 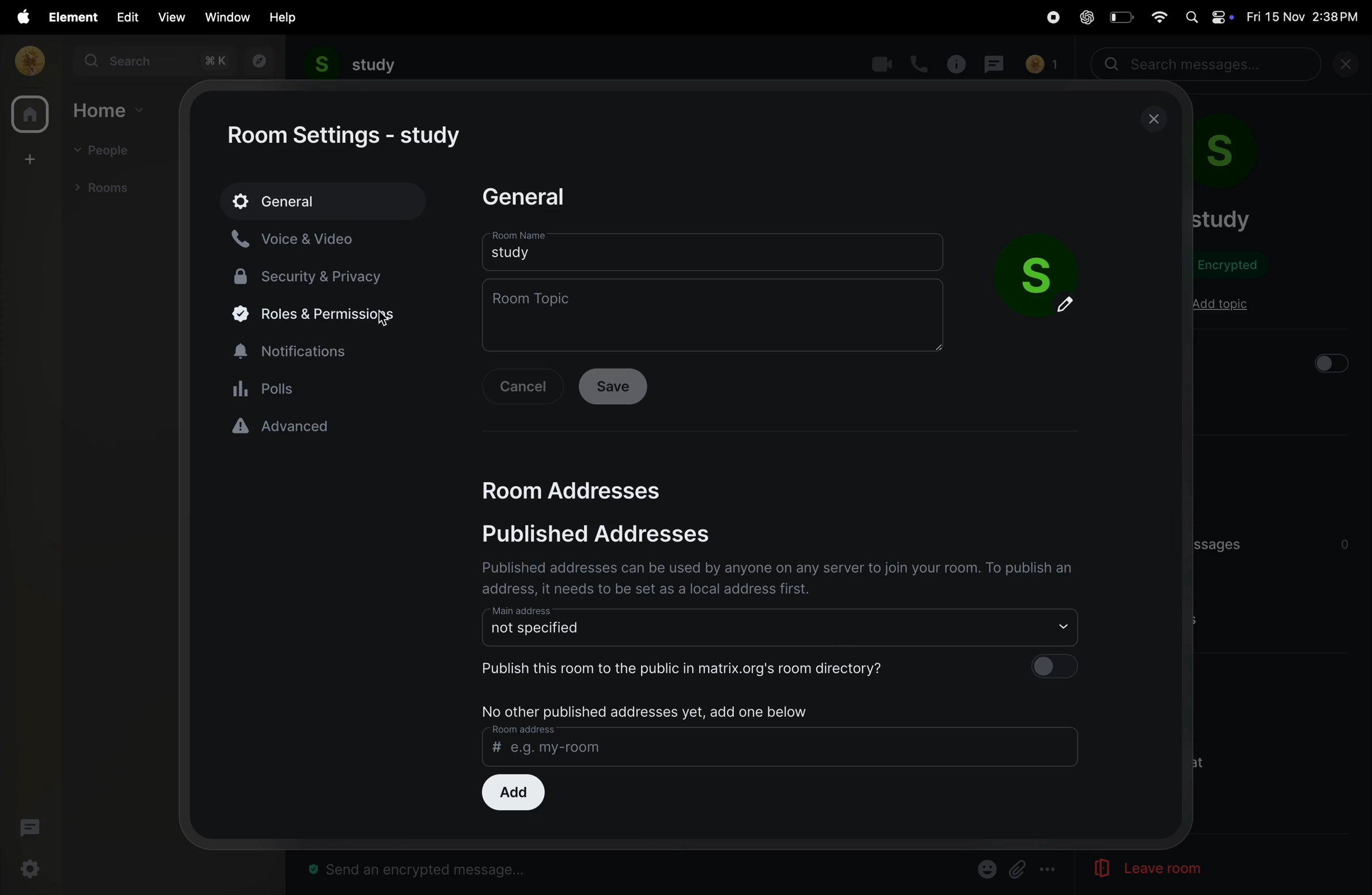 What do you see at coordinates (1086, 18) in the screenshot?
I see `chatgpt` at bounding box center [1086, 18].